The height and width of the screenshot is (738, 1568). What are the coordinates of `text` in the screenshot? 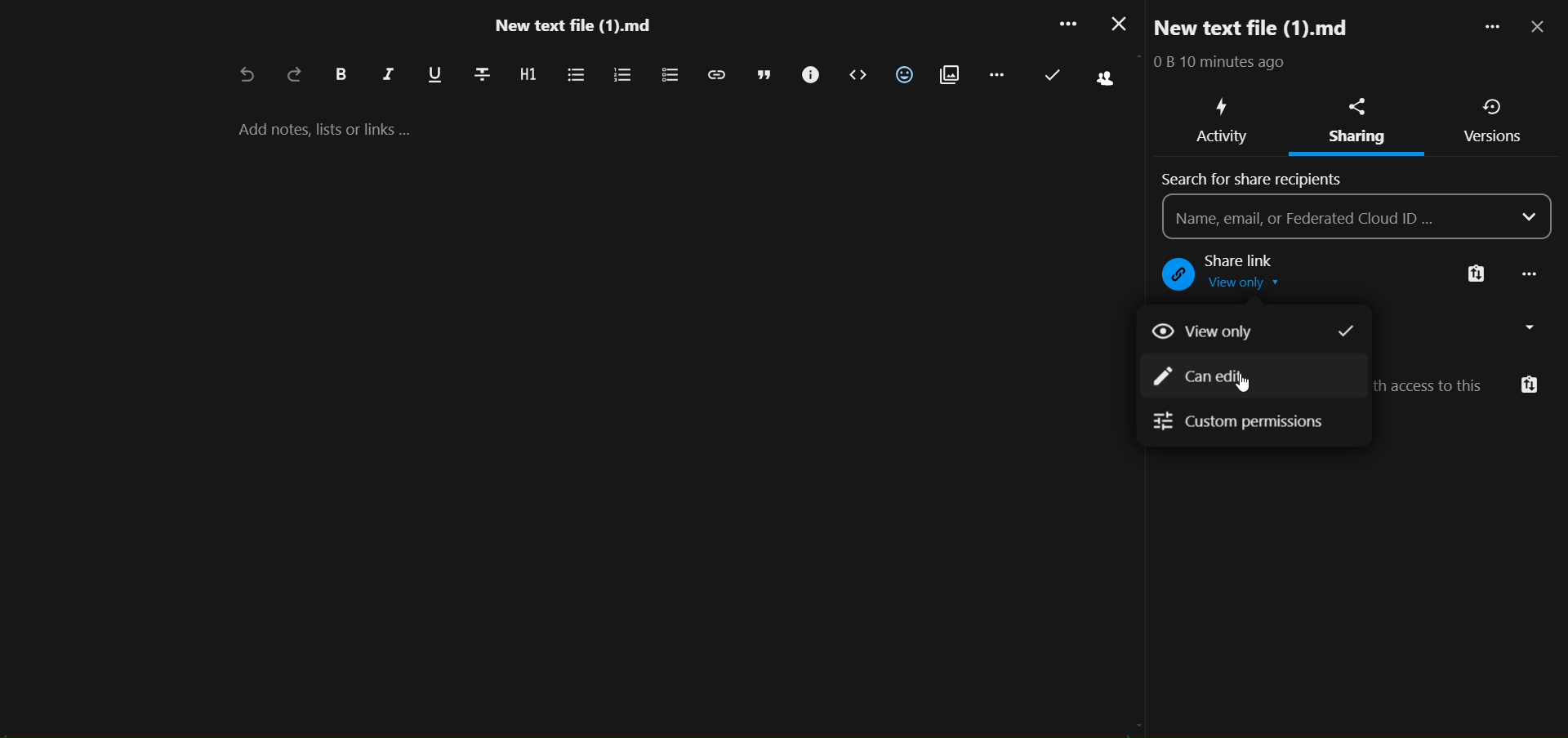 It's located at (1228, 64).